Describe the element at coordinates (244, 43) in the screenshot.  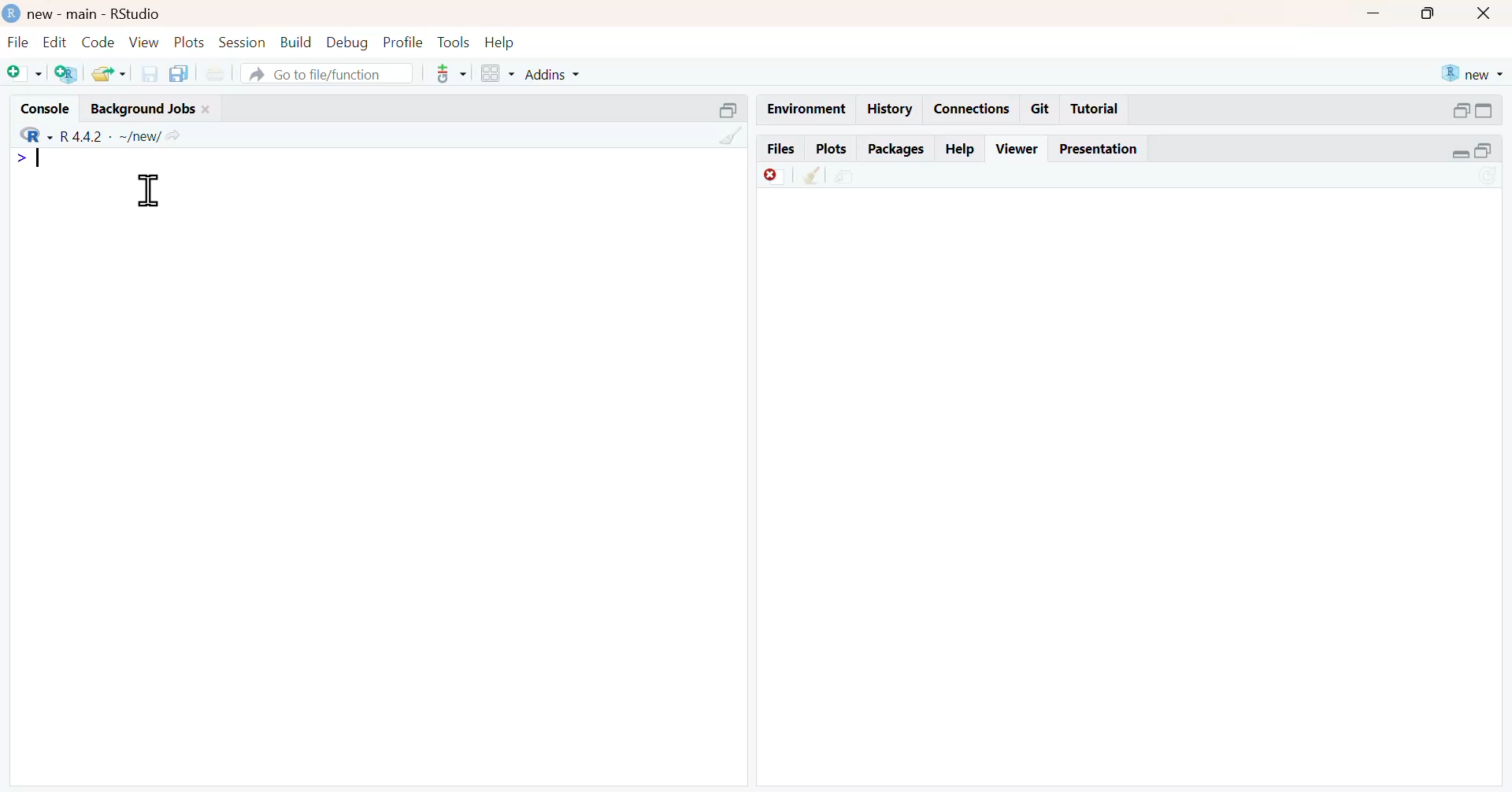
I see `session` at that location.